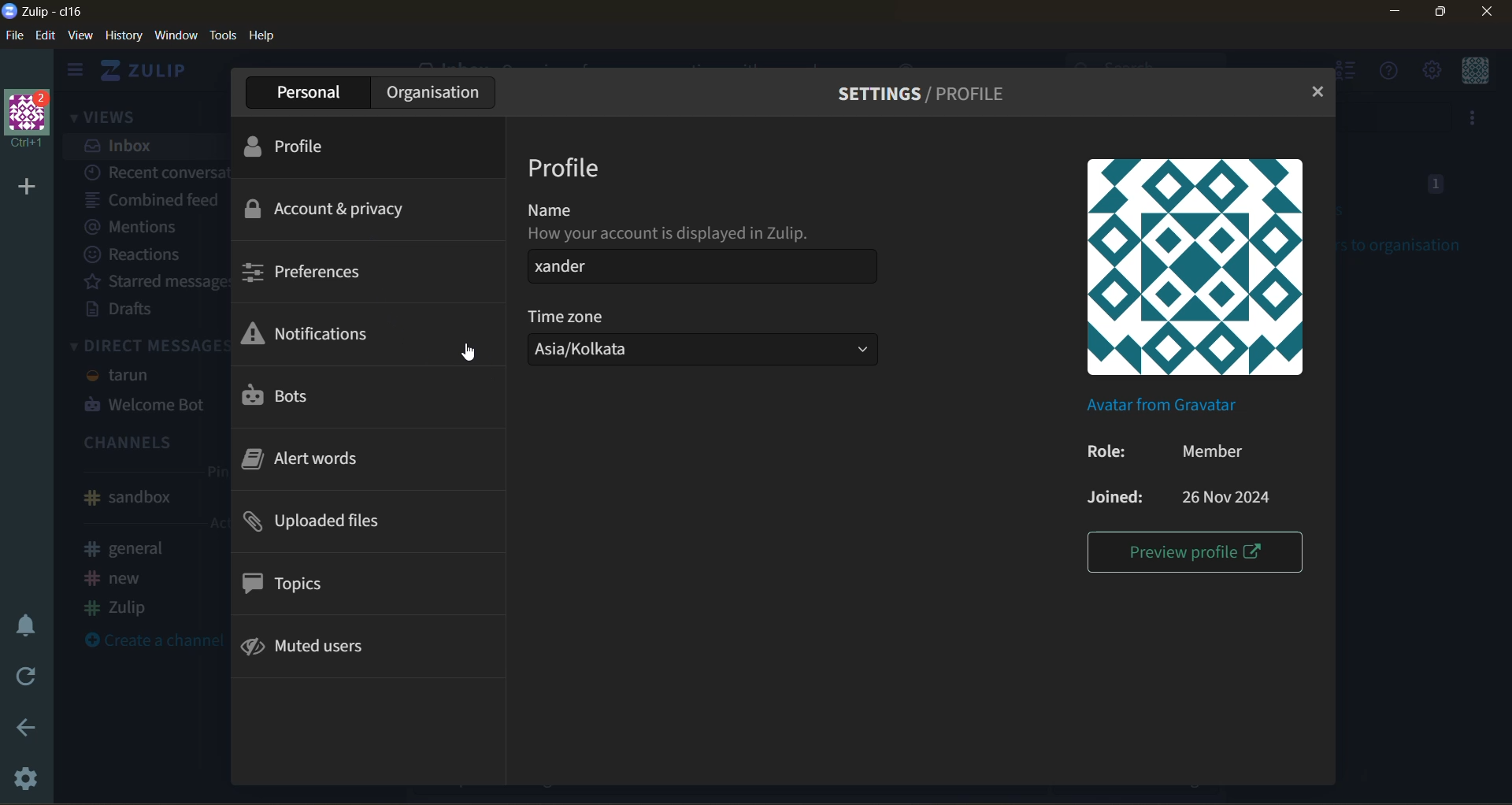 The image size is (1512, 805). Describe the element at coordinates (314, 464) in the screenshot. I see `alert words` at that location.